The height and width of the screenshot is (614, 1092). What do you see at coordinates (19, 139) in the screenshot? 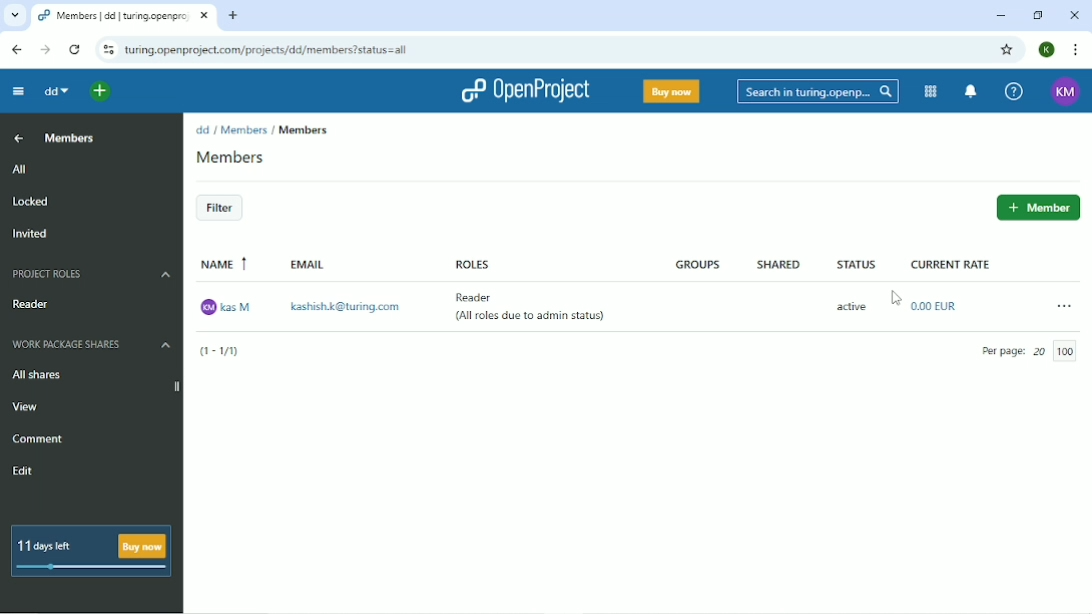
I see `Up` at bounding box center [19, 139].